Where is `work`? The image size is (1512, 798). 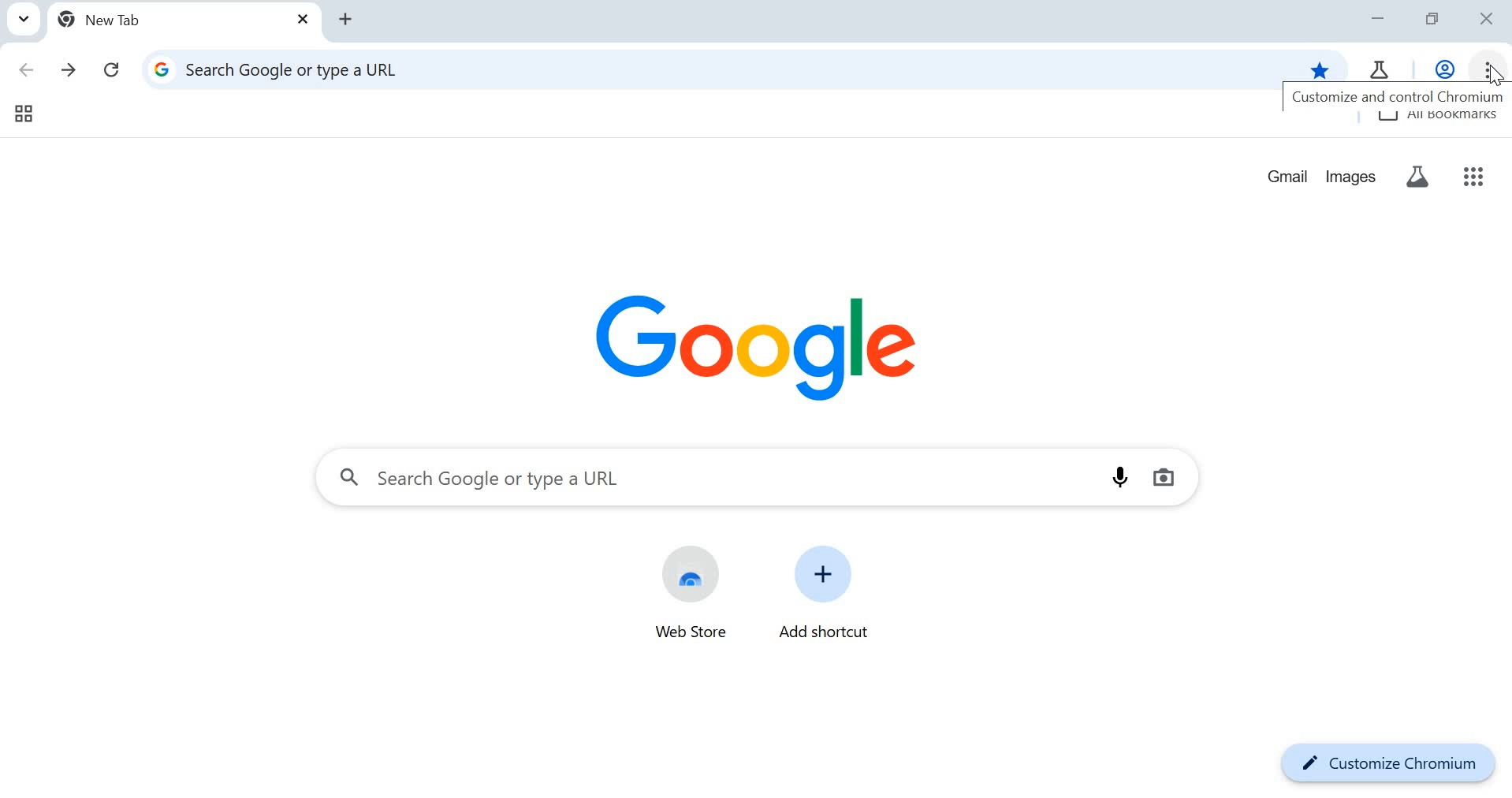 work is located at coordinates (1443, 69).